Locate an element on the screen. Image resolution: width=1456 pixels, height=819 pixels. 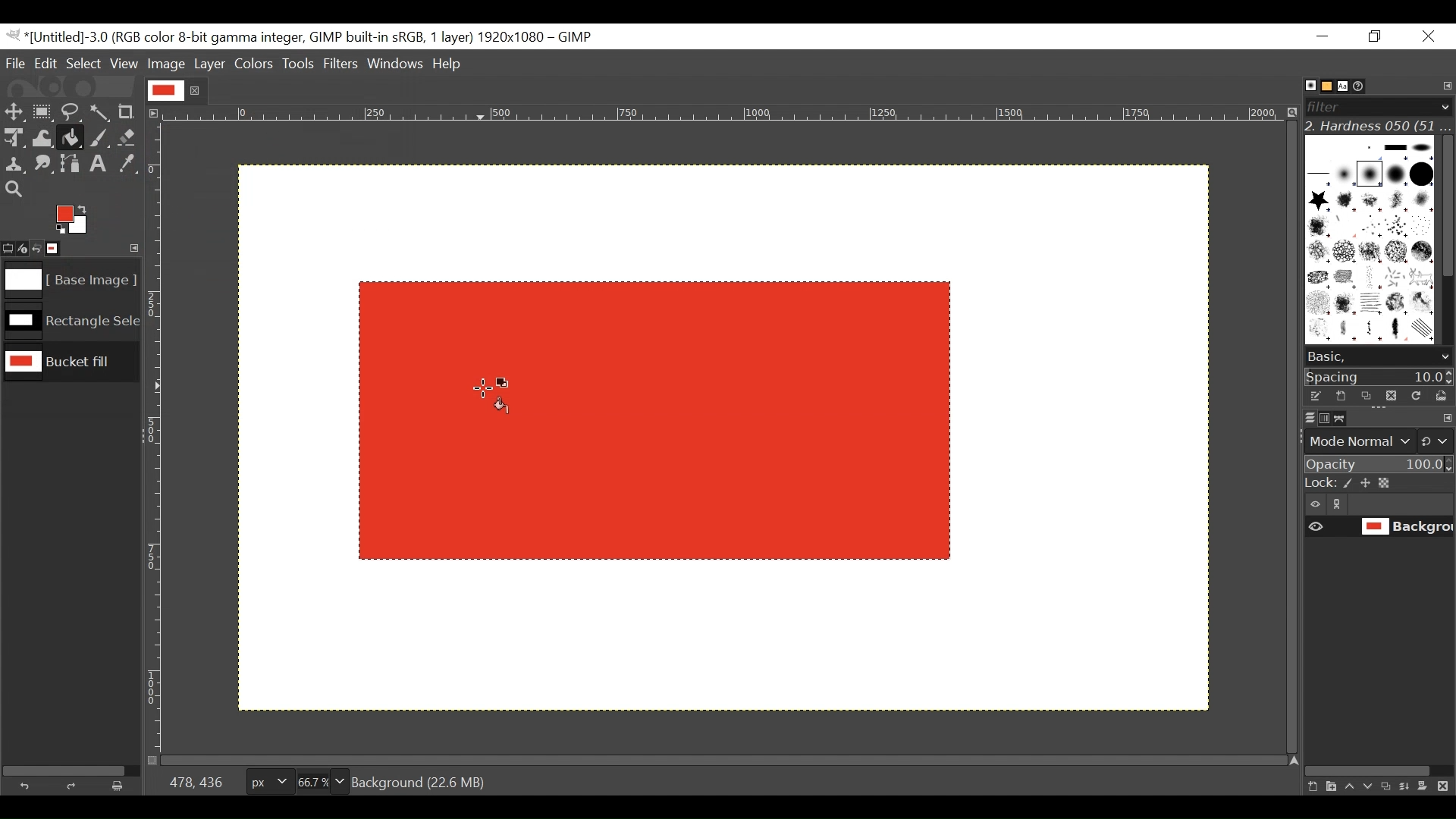
merge the layer is located at coordinates (1408, 786).